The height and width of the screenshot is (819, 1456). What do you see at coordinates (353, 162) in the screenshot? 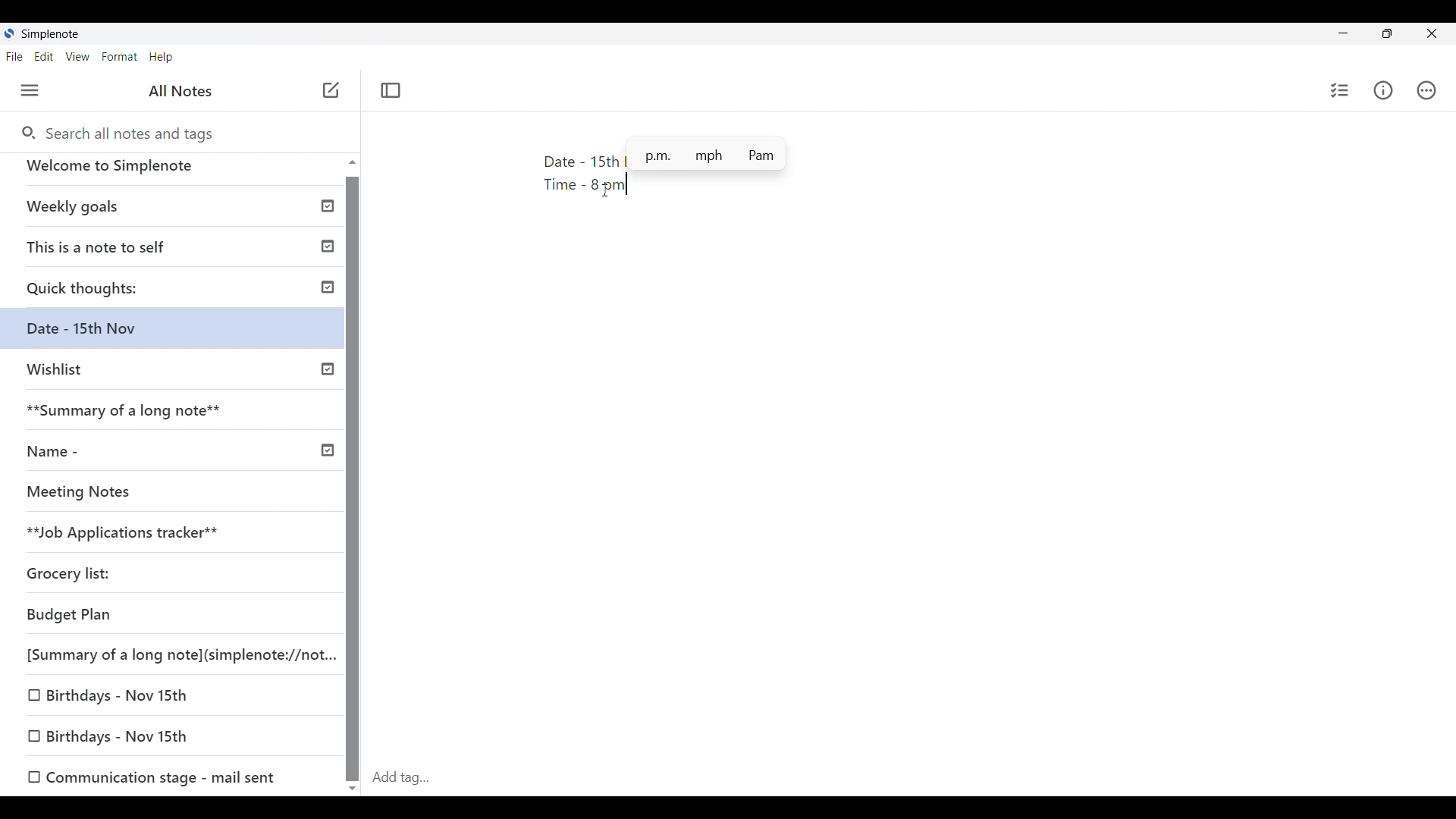
I see `Quick slide to top` at bounding box center [353, 162].